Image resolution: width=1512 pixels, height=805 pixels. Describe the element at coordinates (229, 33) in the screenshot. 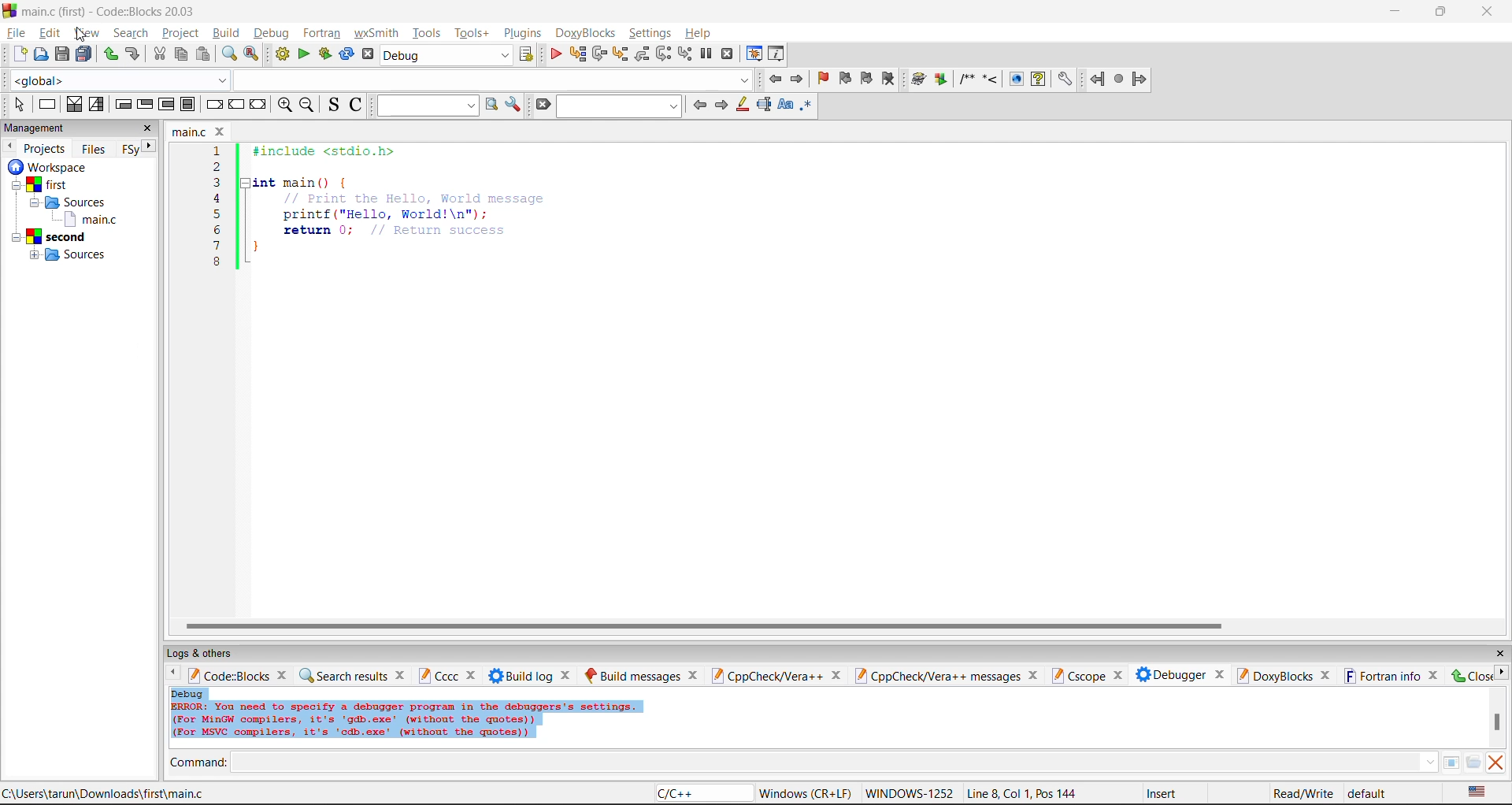

I see `build` at that location.